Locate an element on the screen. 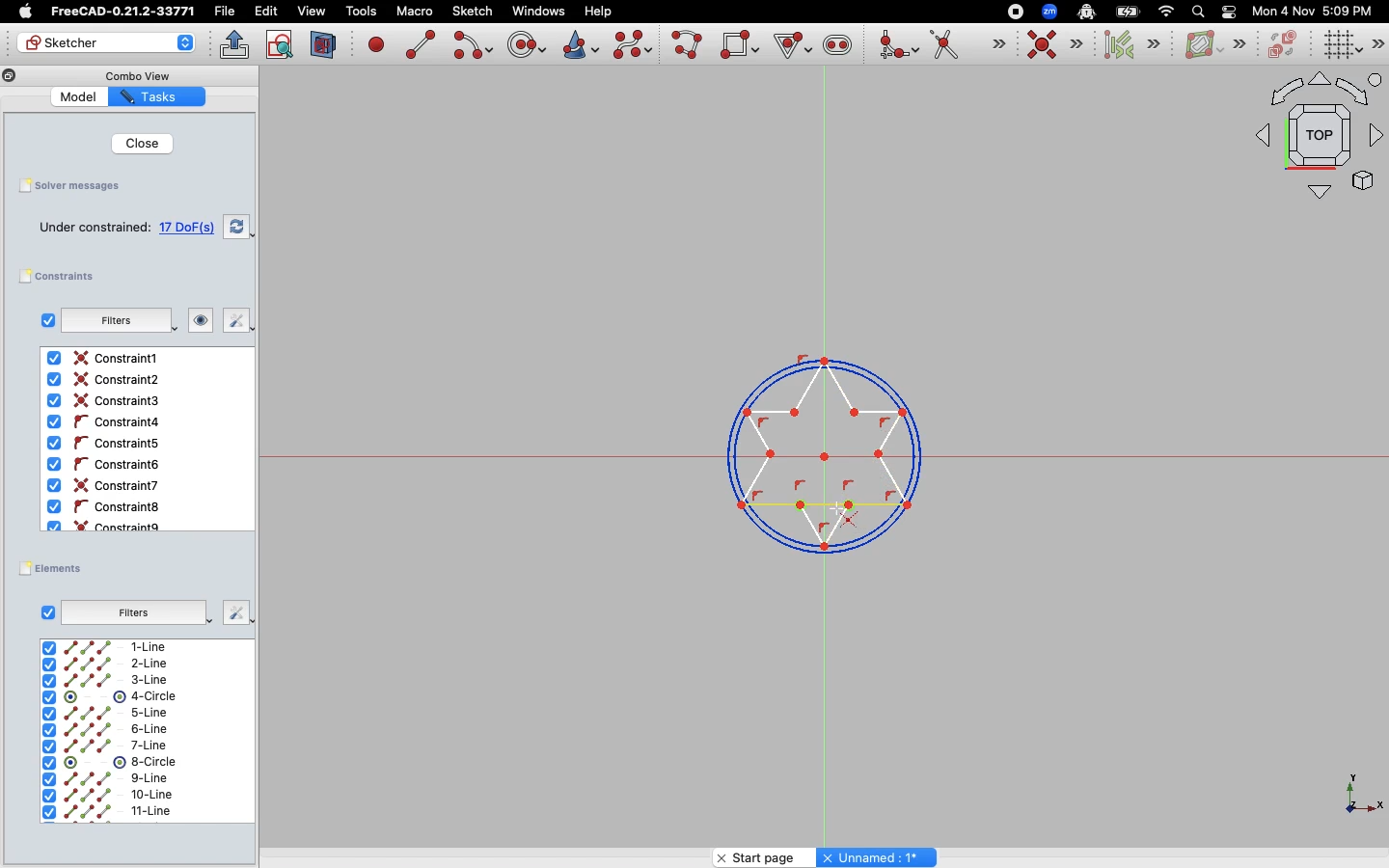 The image size is (1389, 868). Create circle is located at coordinates (527, 42).